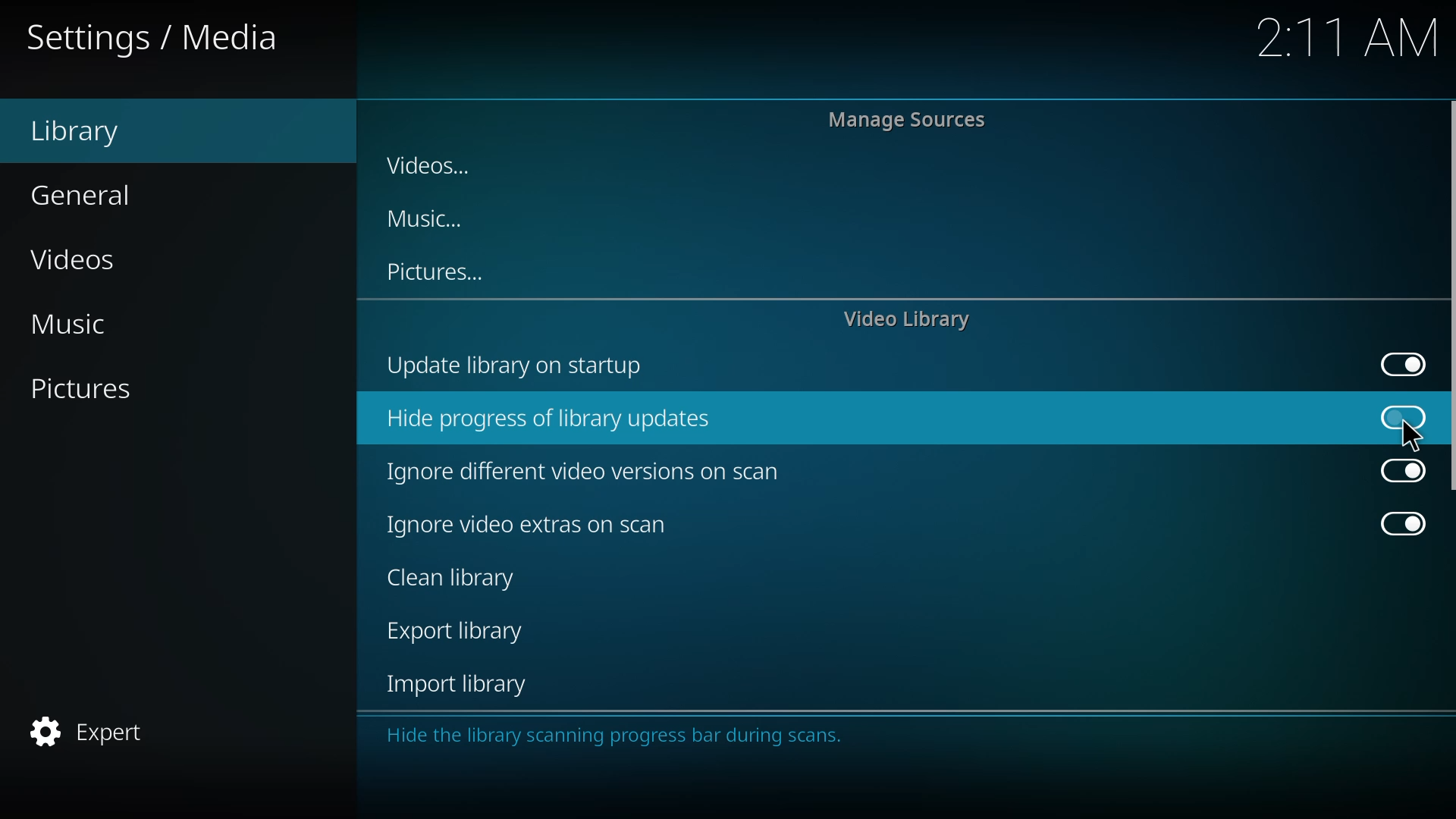 This screenshot has width=1456, height=819. I want to click on library, so click(102, 132).